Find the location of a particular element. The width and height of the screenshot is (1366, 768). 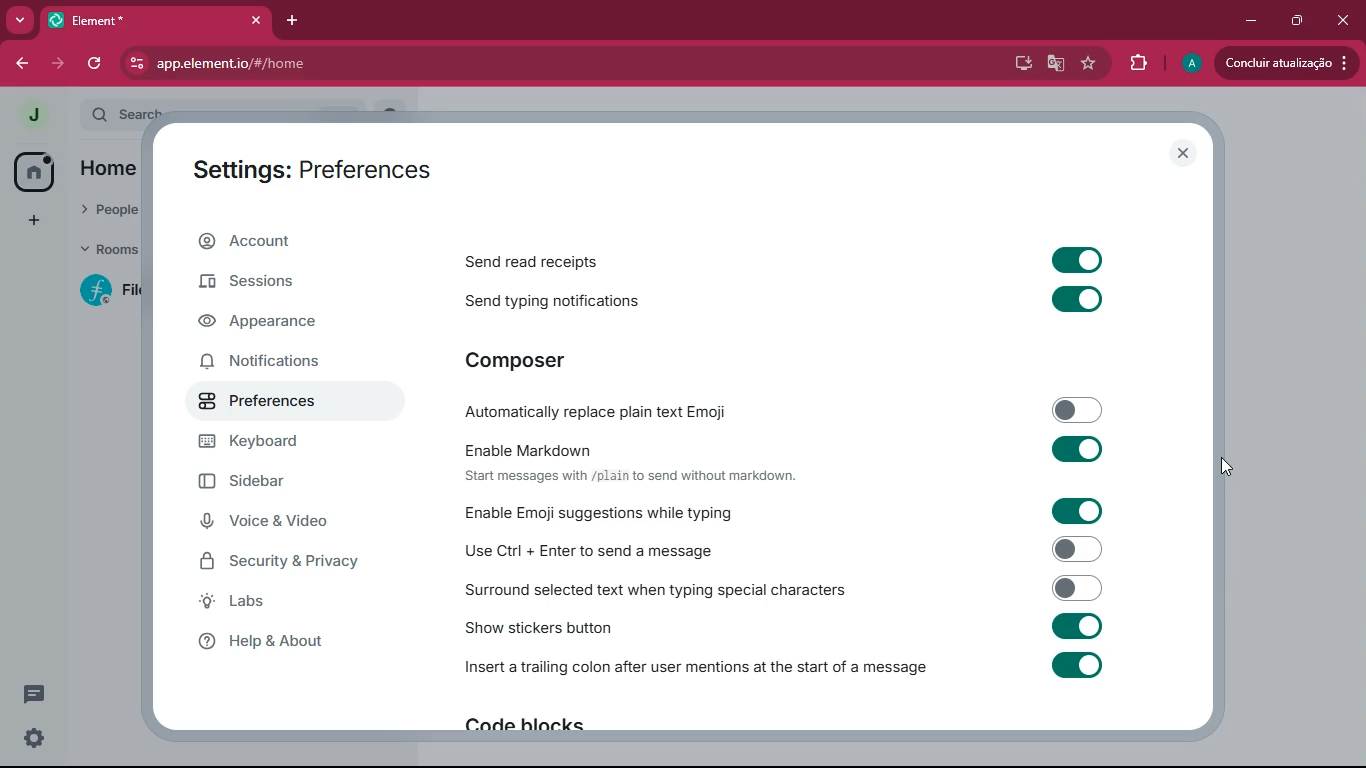

voice & video is located at coordinates (280, 523).